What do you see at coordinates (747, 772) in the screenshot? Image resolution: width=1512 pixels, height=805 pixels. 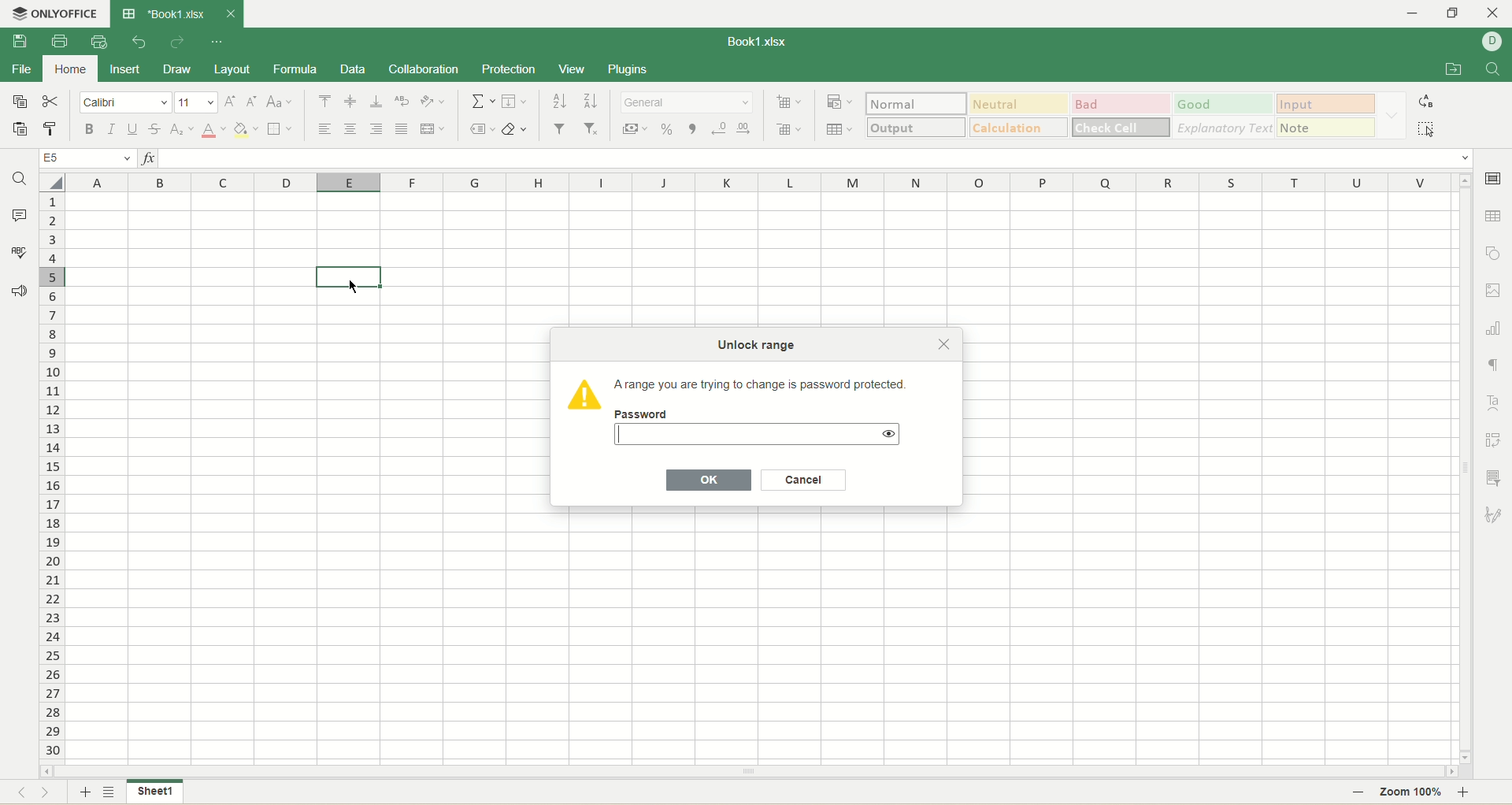 I see `horizontal scroll` at bounding box center [747, 772].